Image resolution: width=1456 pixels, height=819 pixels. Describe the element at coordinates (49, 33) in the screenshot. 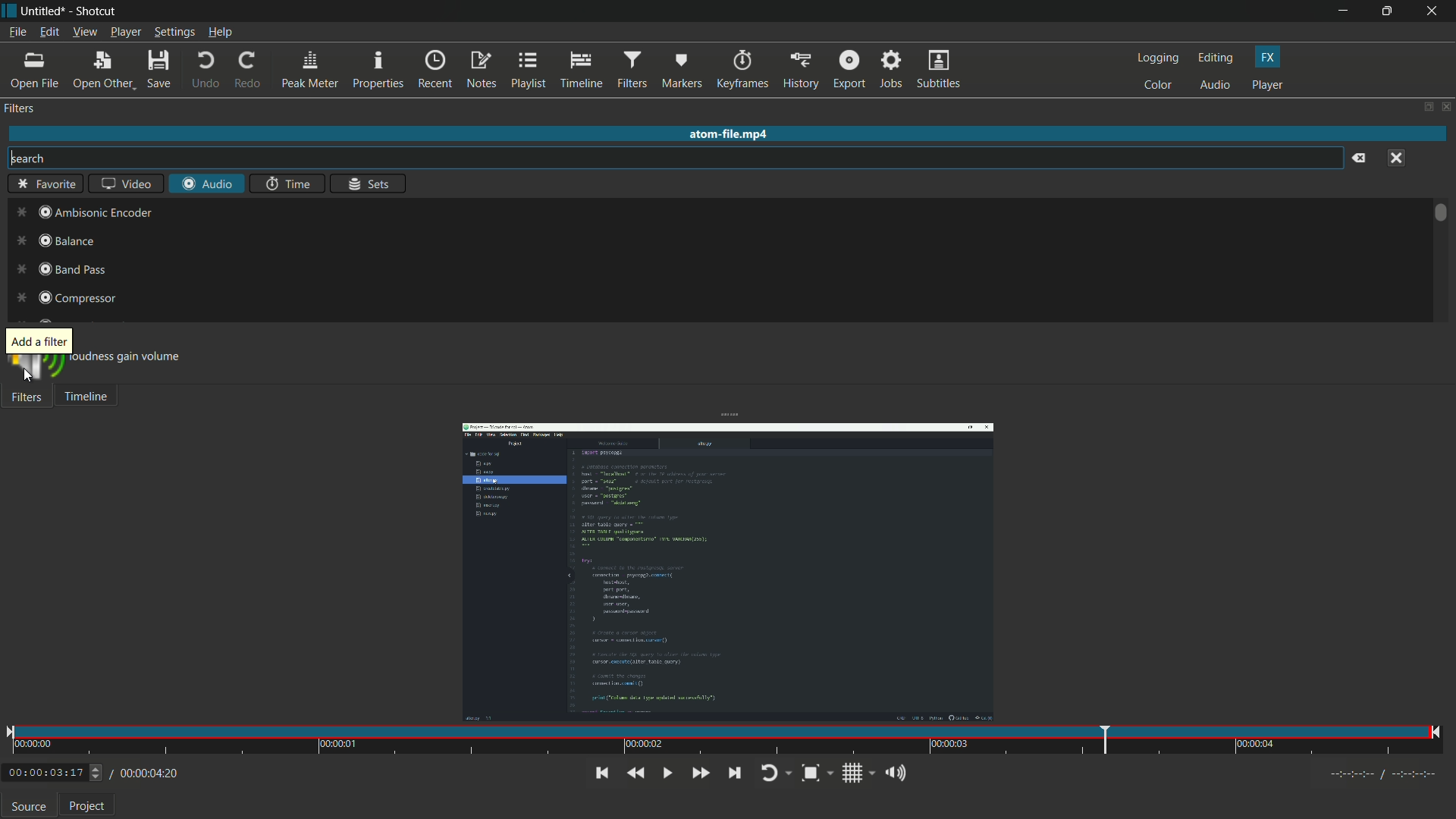

I see `edit menu` at that location.